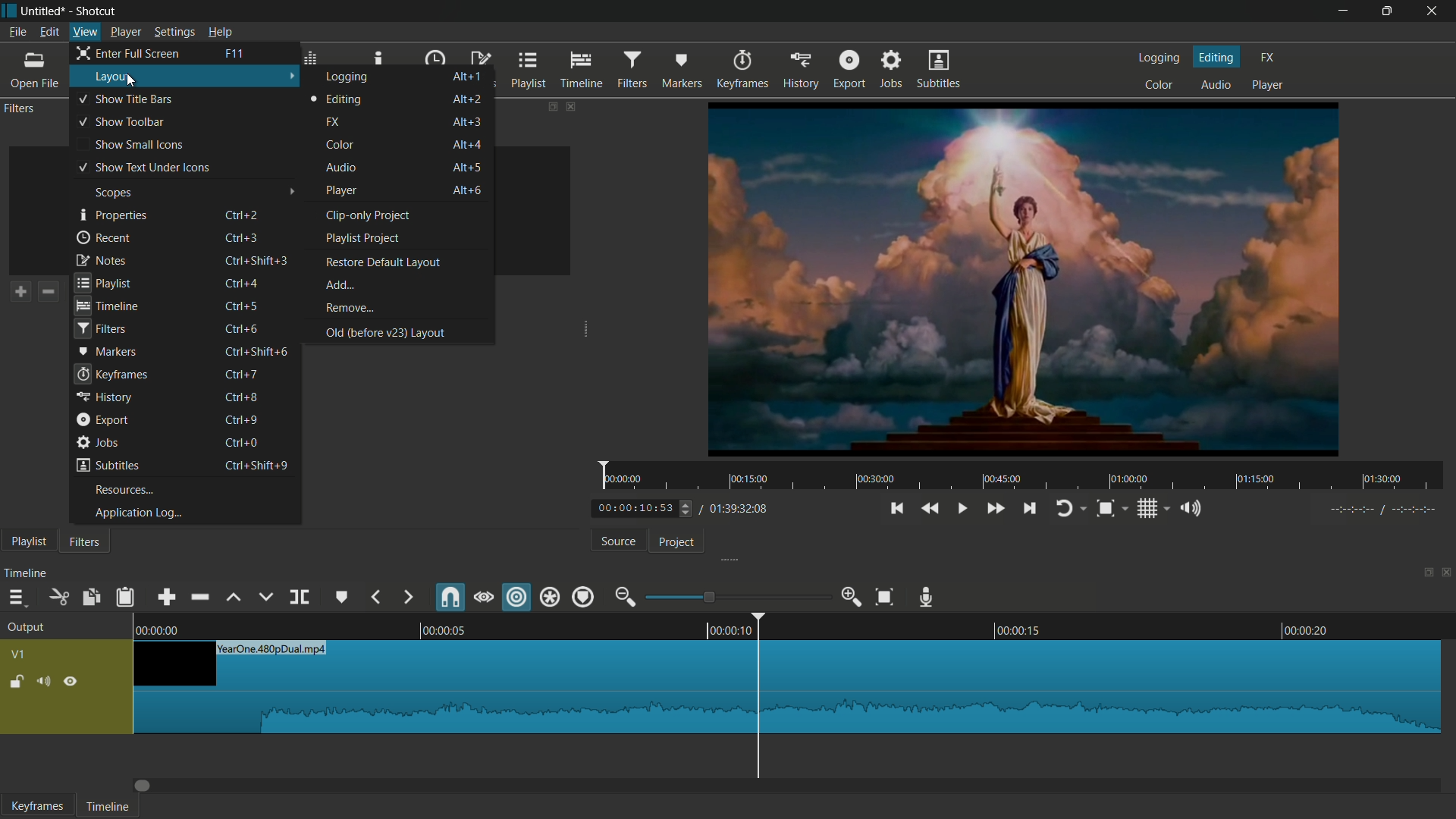  I want to click on hide, so click(71, 682).